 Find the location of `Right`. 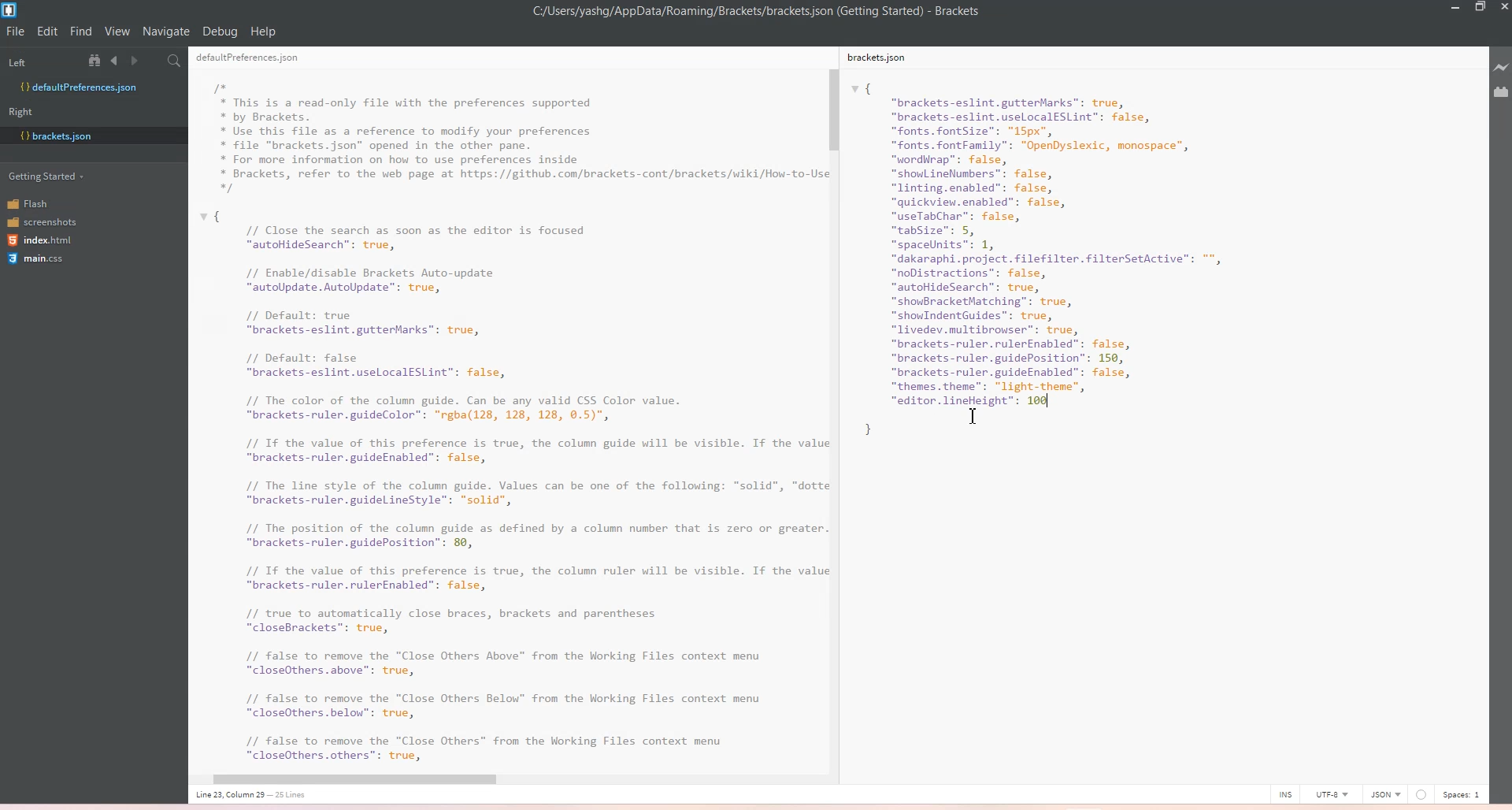

Right is located at coordinates (26, 111).